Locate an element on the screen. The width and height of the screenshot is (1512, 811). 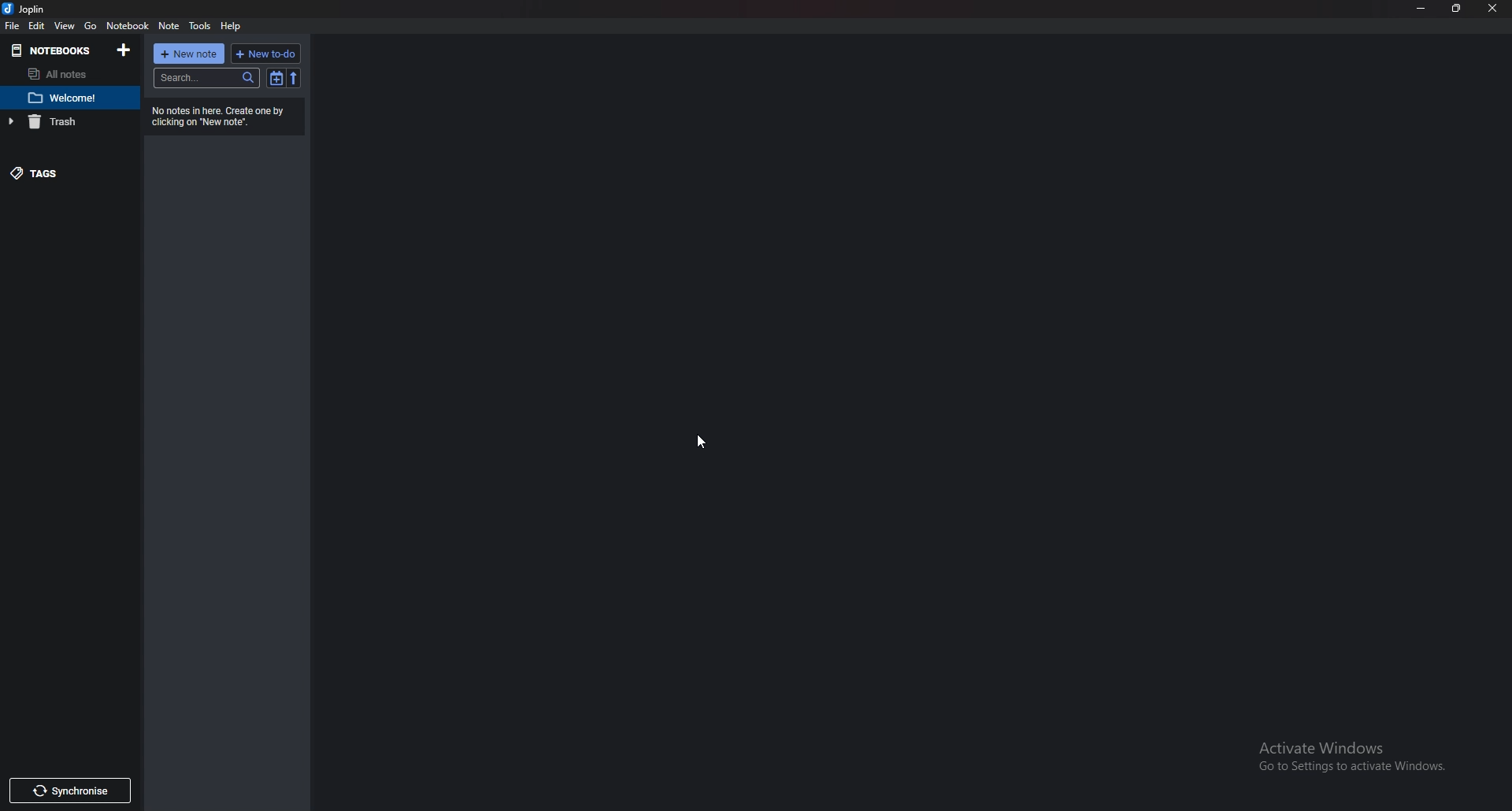
Minimize is located at coordinates (1423, 9).